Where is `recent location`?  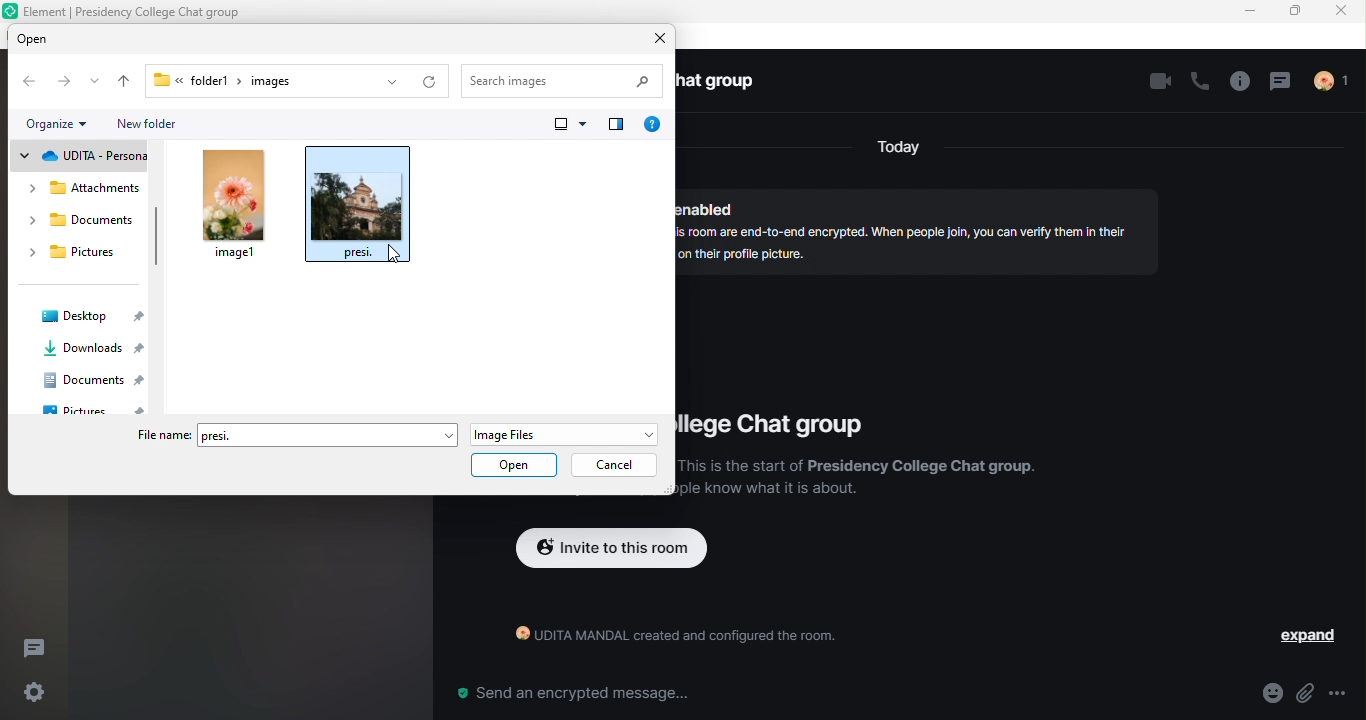
recent location is located at coordinates (94, 84).